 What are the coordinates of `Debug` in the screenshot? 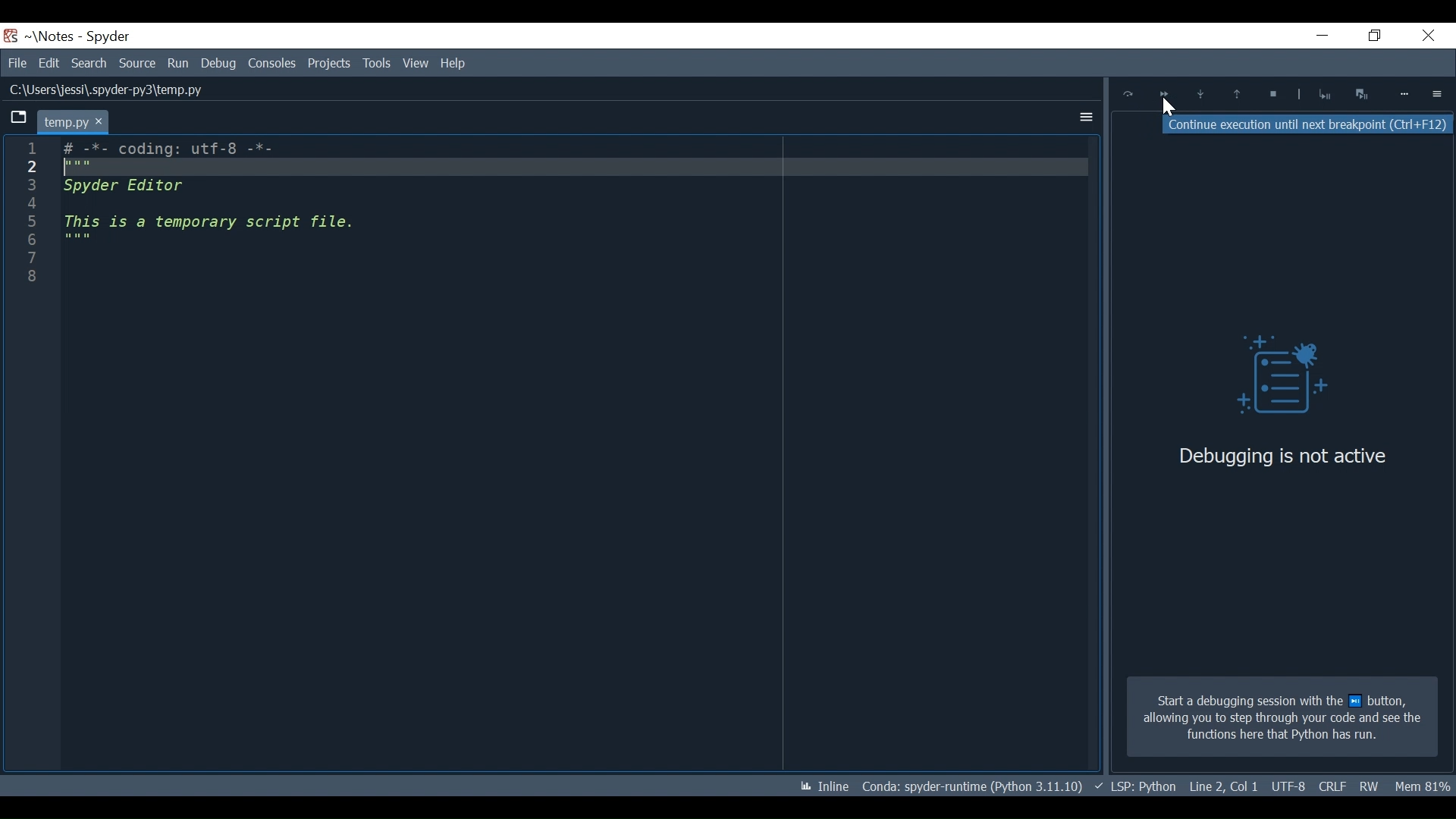 It's located at (1270, 378).